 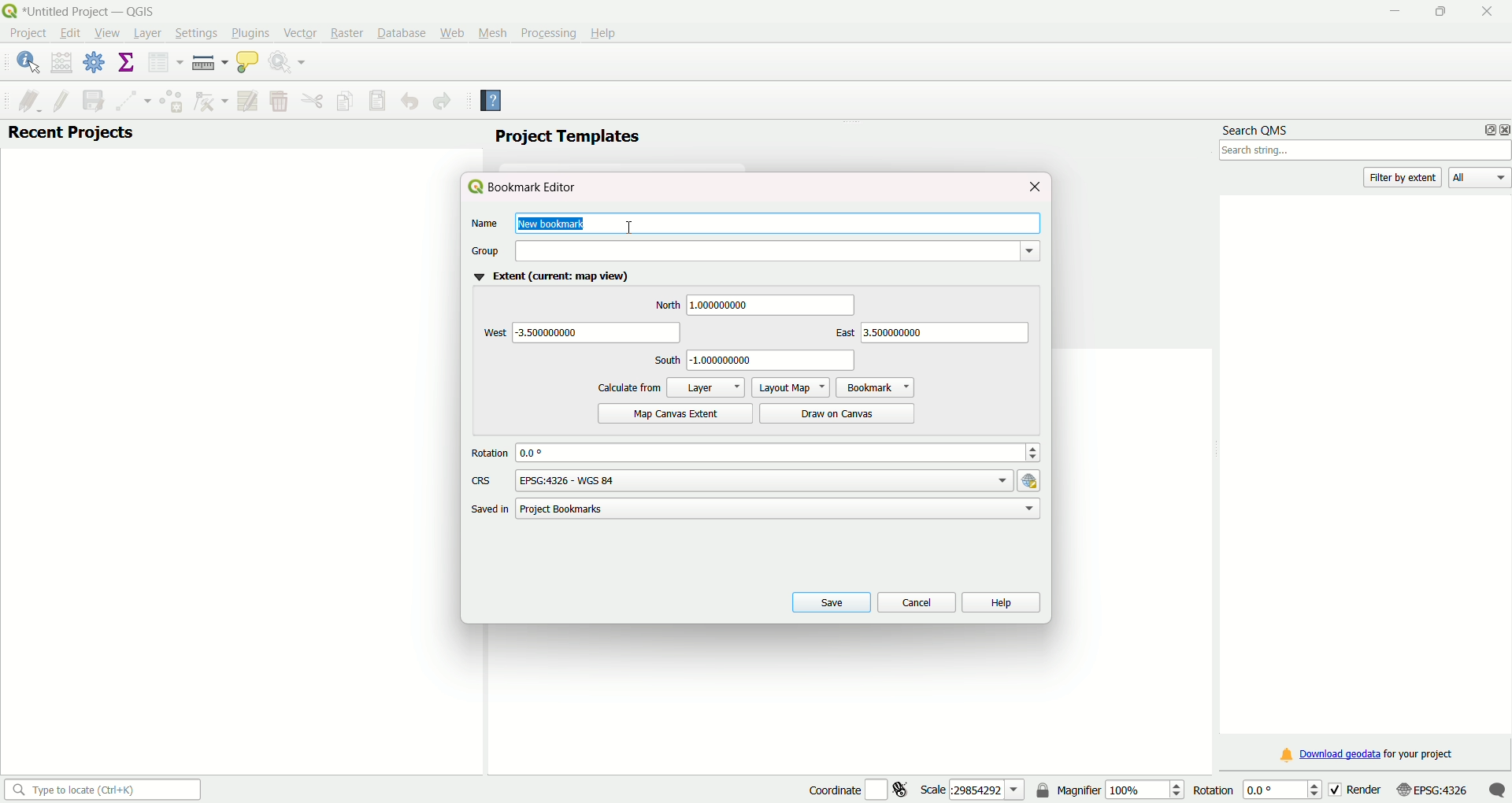 What do you see at coordinates (491, 32) in the screenshot?
I see `Mesh` at bounding box center [491, 32].